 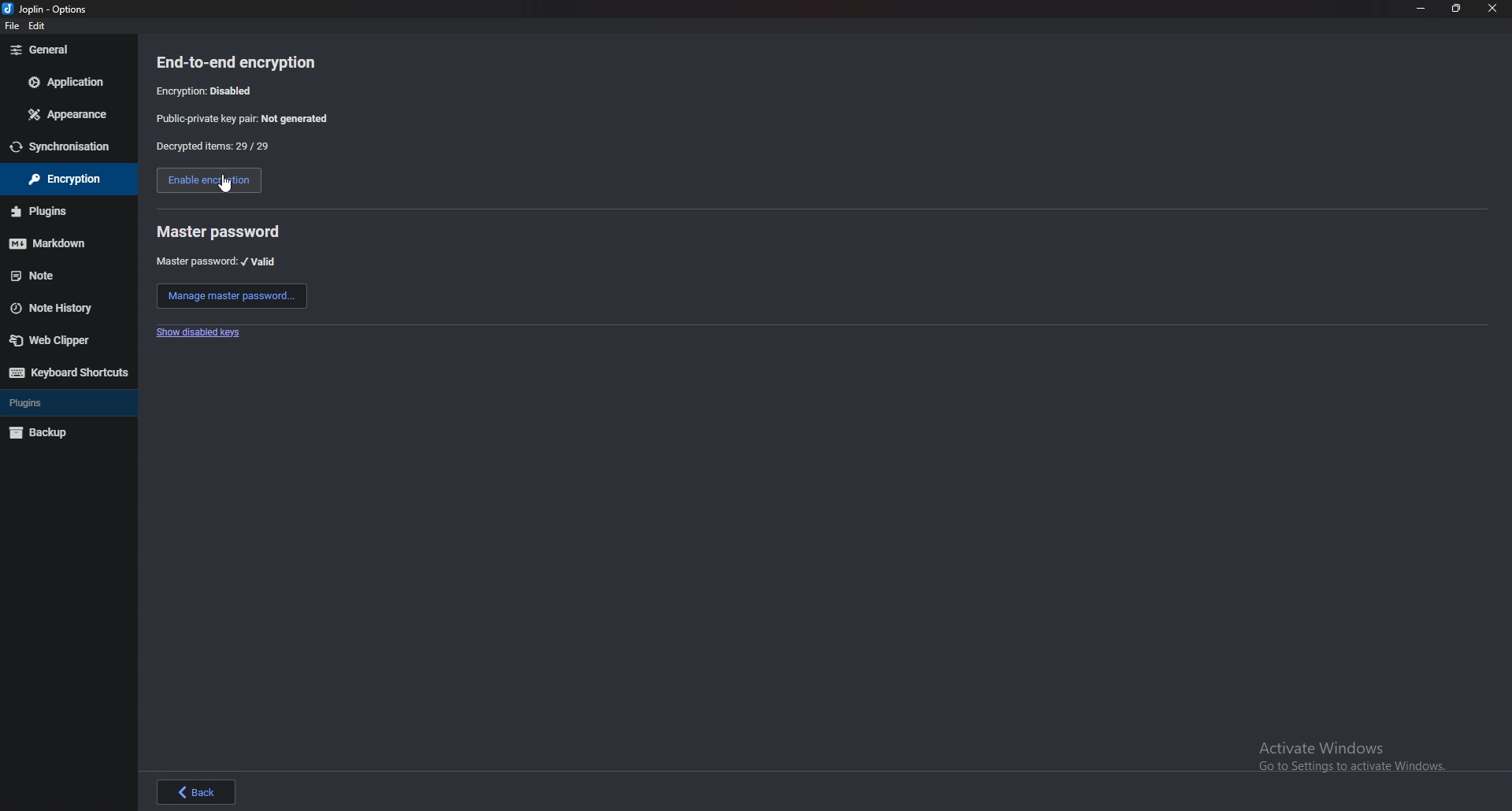 What do you see at coordinates (205, 180) in the screenshot?
I see `enable encryption` at bounding box center [205, 180].